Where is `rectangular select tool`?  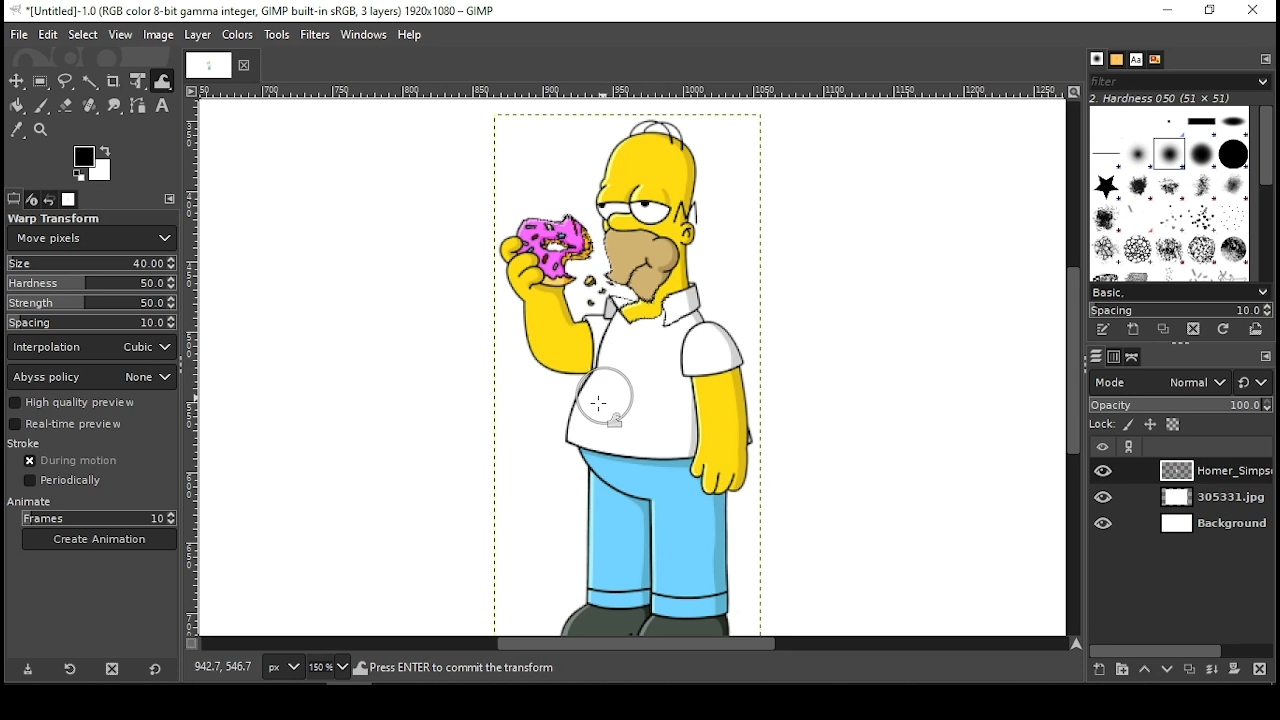
rectangular select tool is located at coordinates (43, 80).